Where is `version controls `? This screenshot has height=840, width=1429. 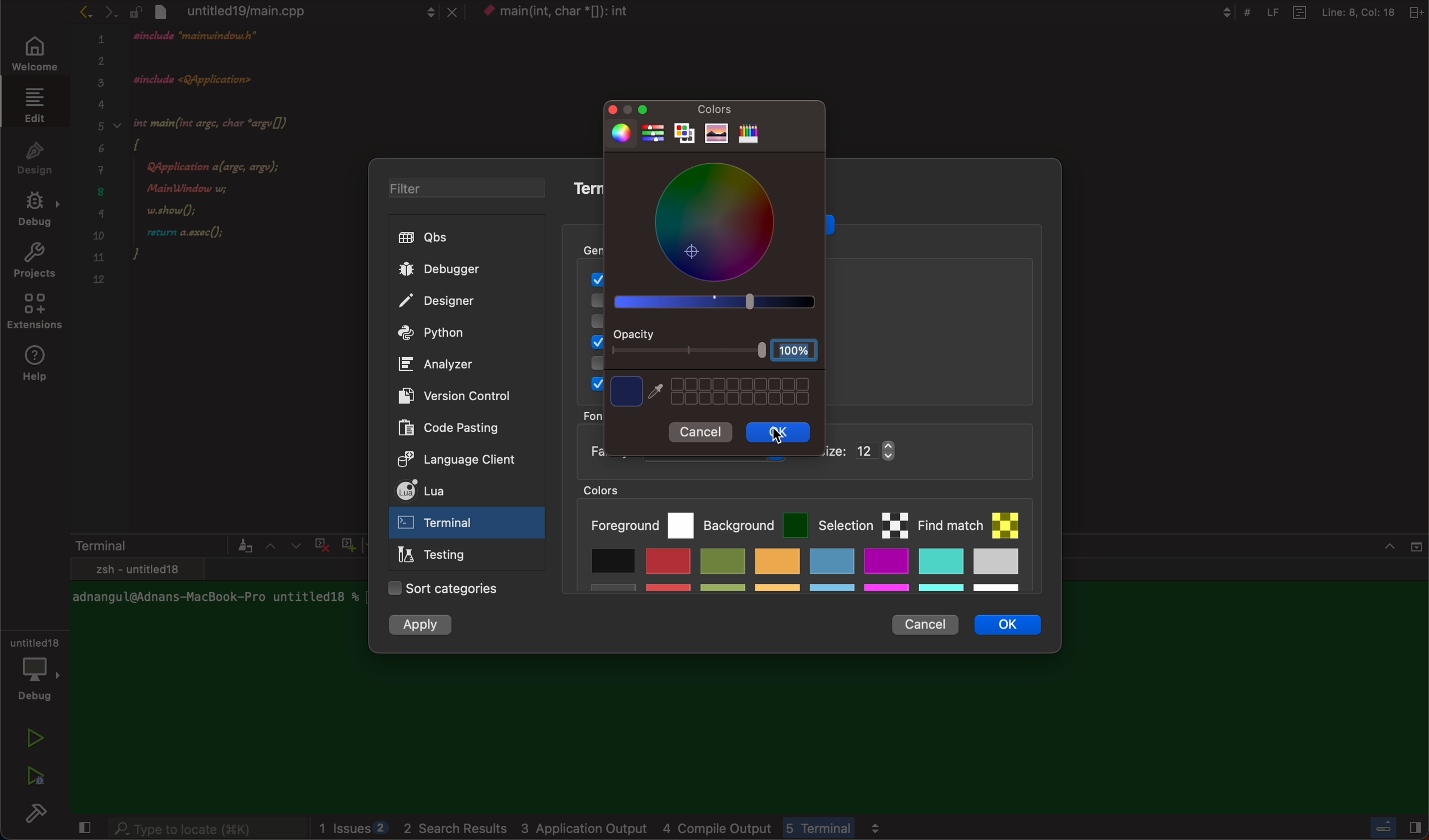 version controls  is located at coordinates (450, 395).